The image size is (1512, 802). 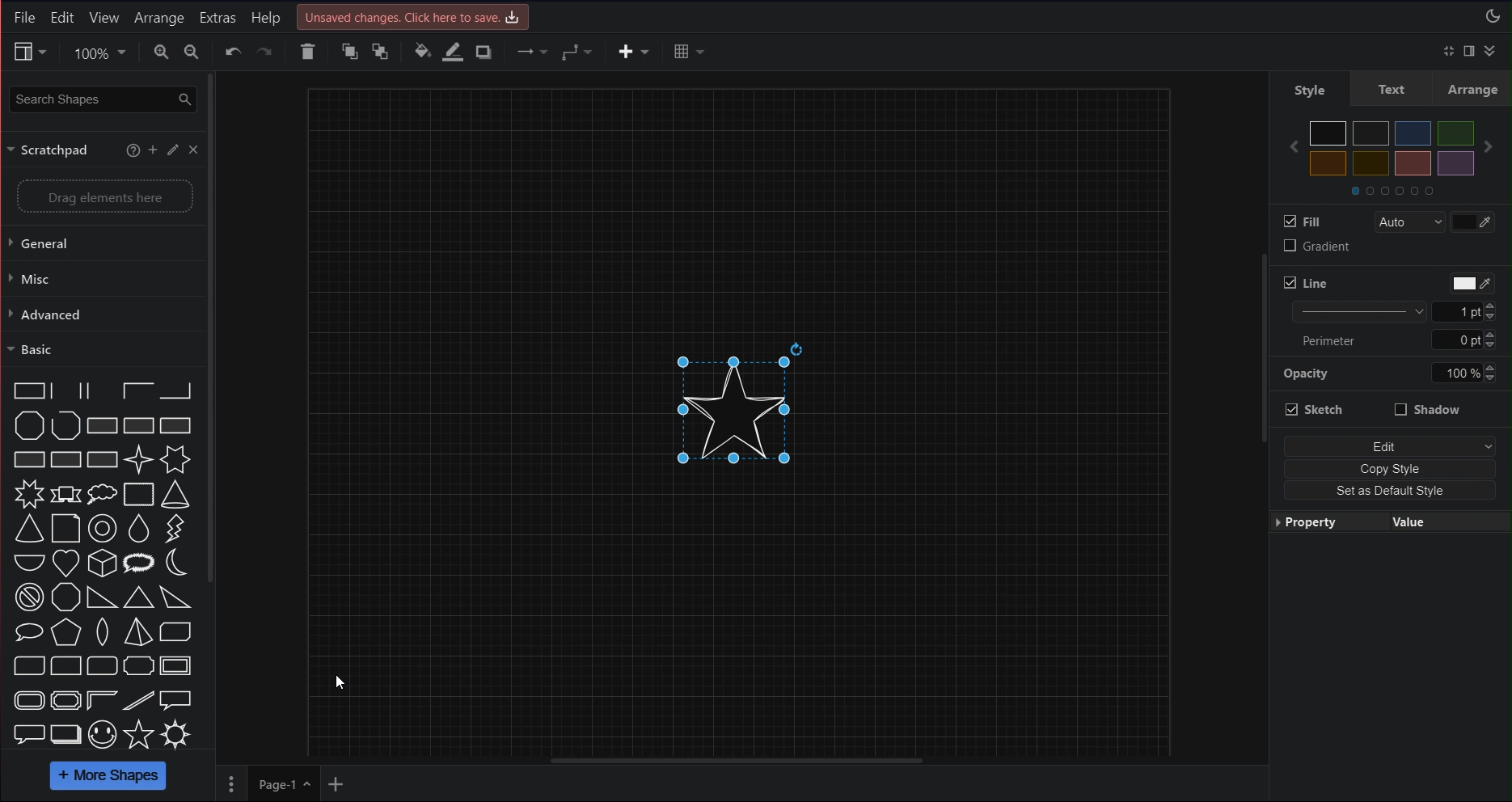 What do you see at coordinates (28, 732) in the screenshot?
I see `rounded rectangular callout` at bounding box center [28, 732].